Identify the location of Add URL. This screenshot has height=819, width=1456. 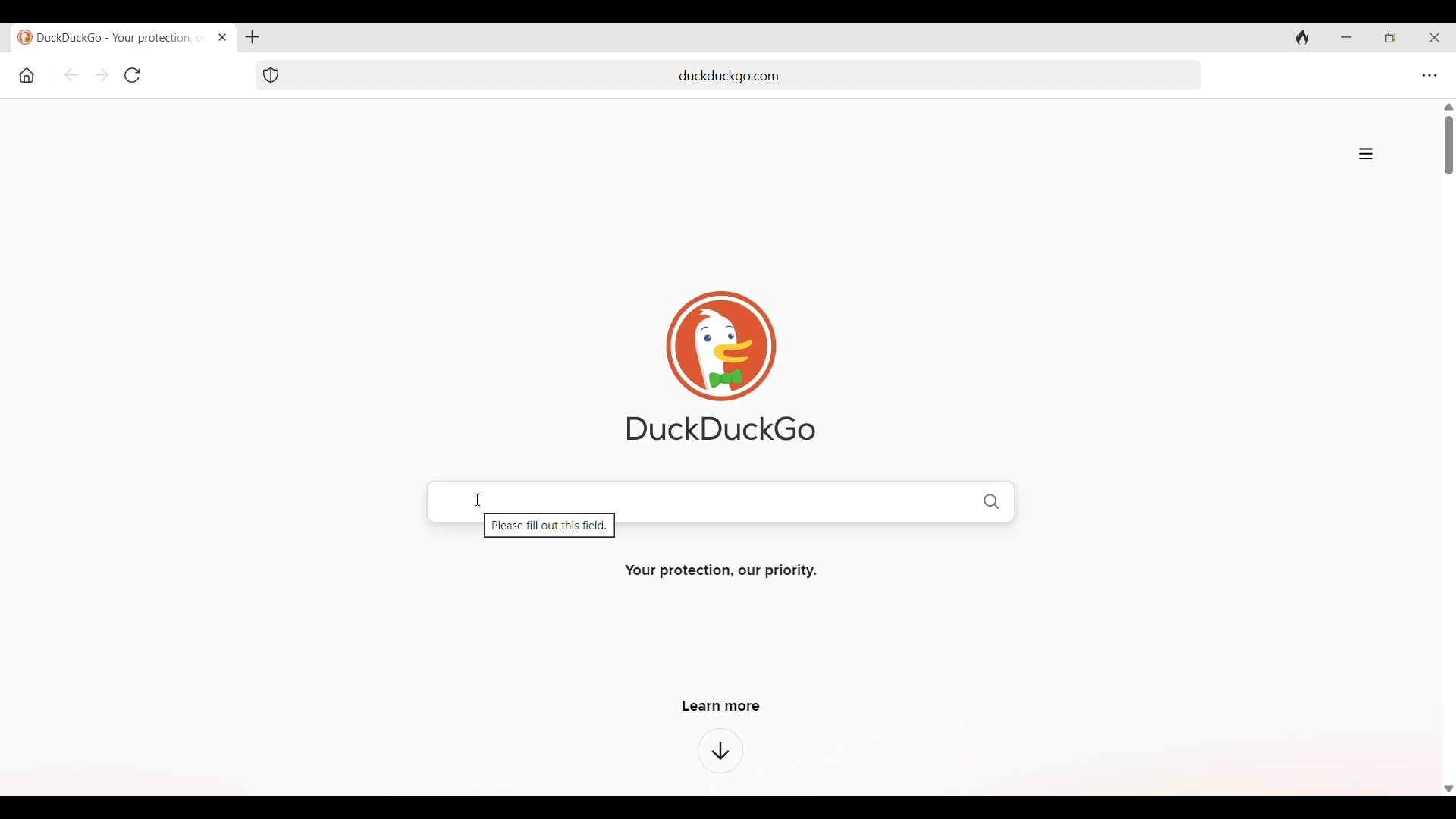
(747, 74).